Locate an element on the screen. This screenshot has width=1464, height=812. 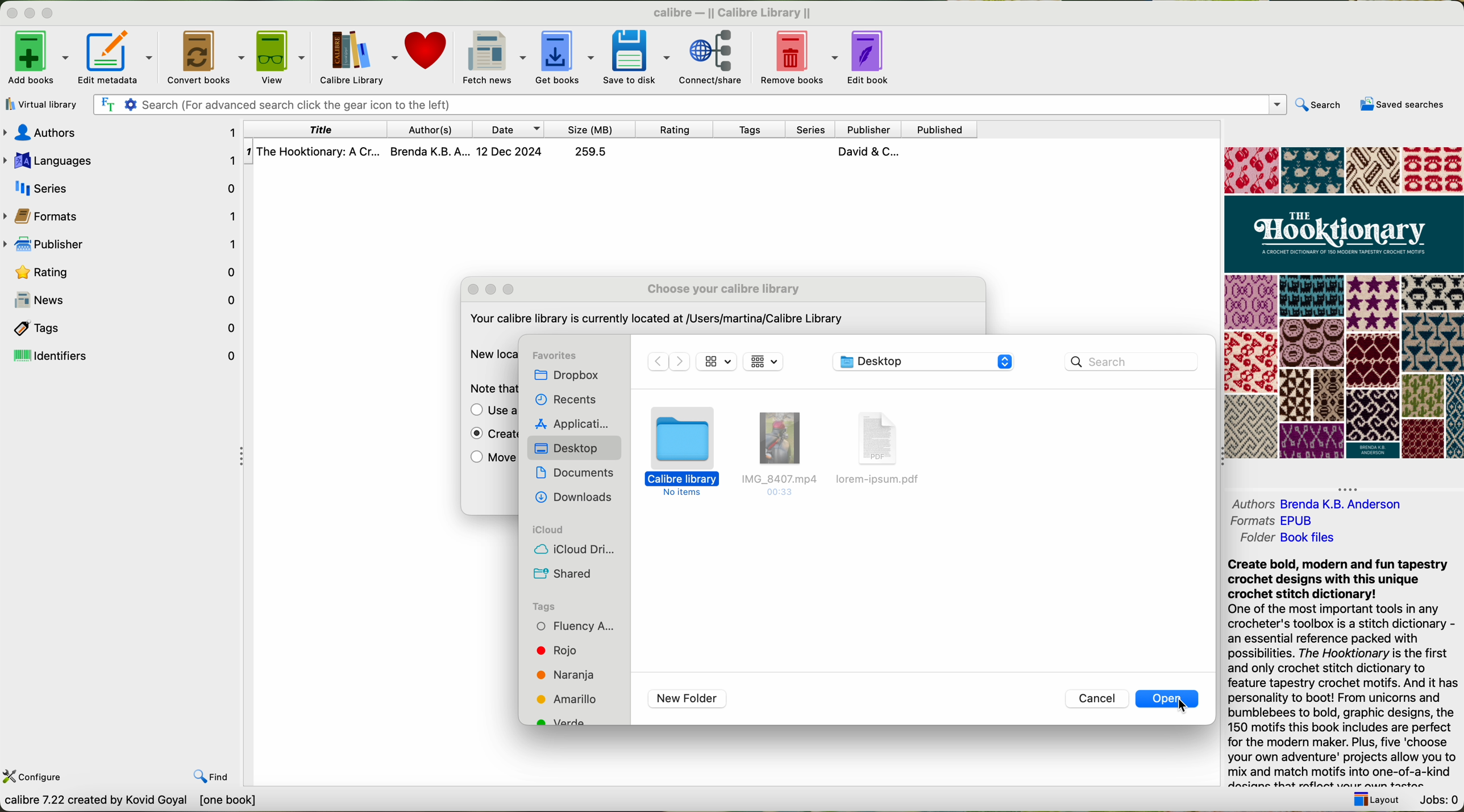
tag is located at coordinates (567, 675).